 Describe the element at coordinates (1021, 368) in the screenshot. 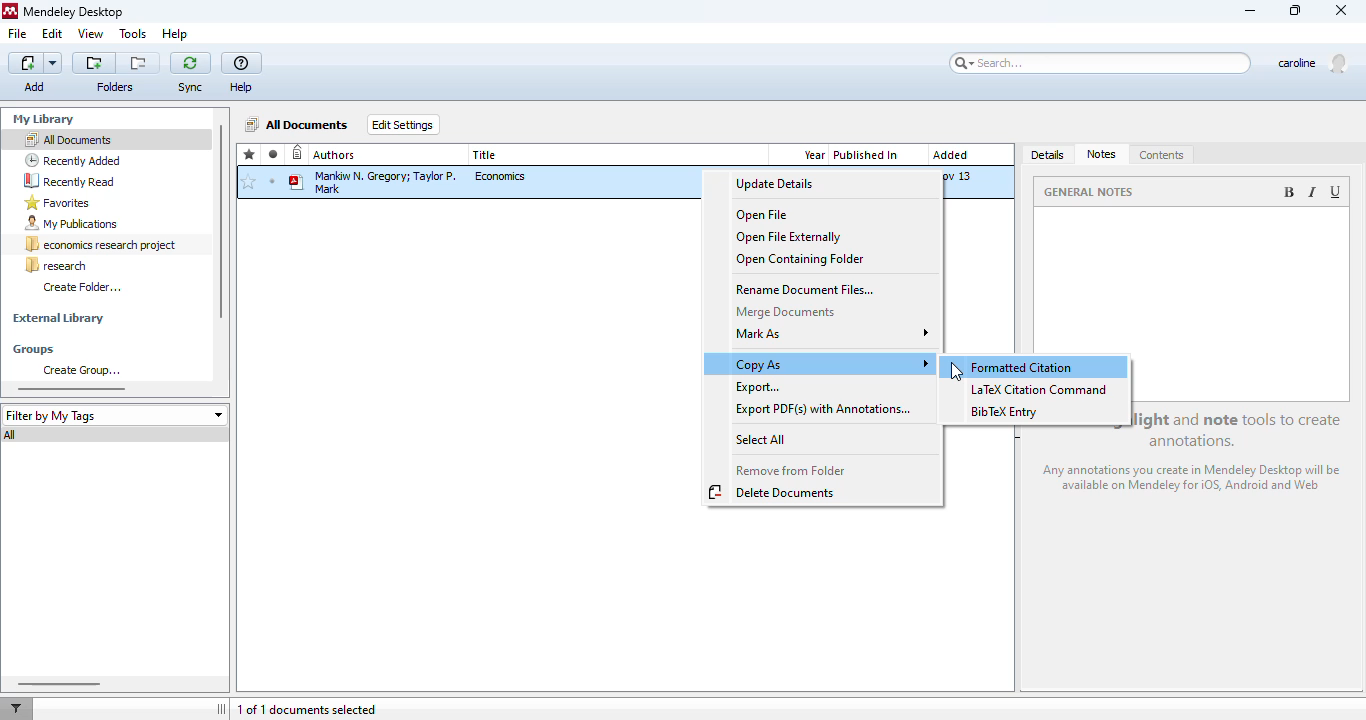

I see `formatted citation` at that location.